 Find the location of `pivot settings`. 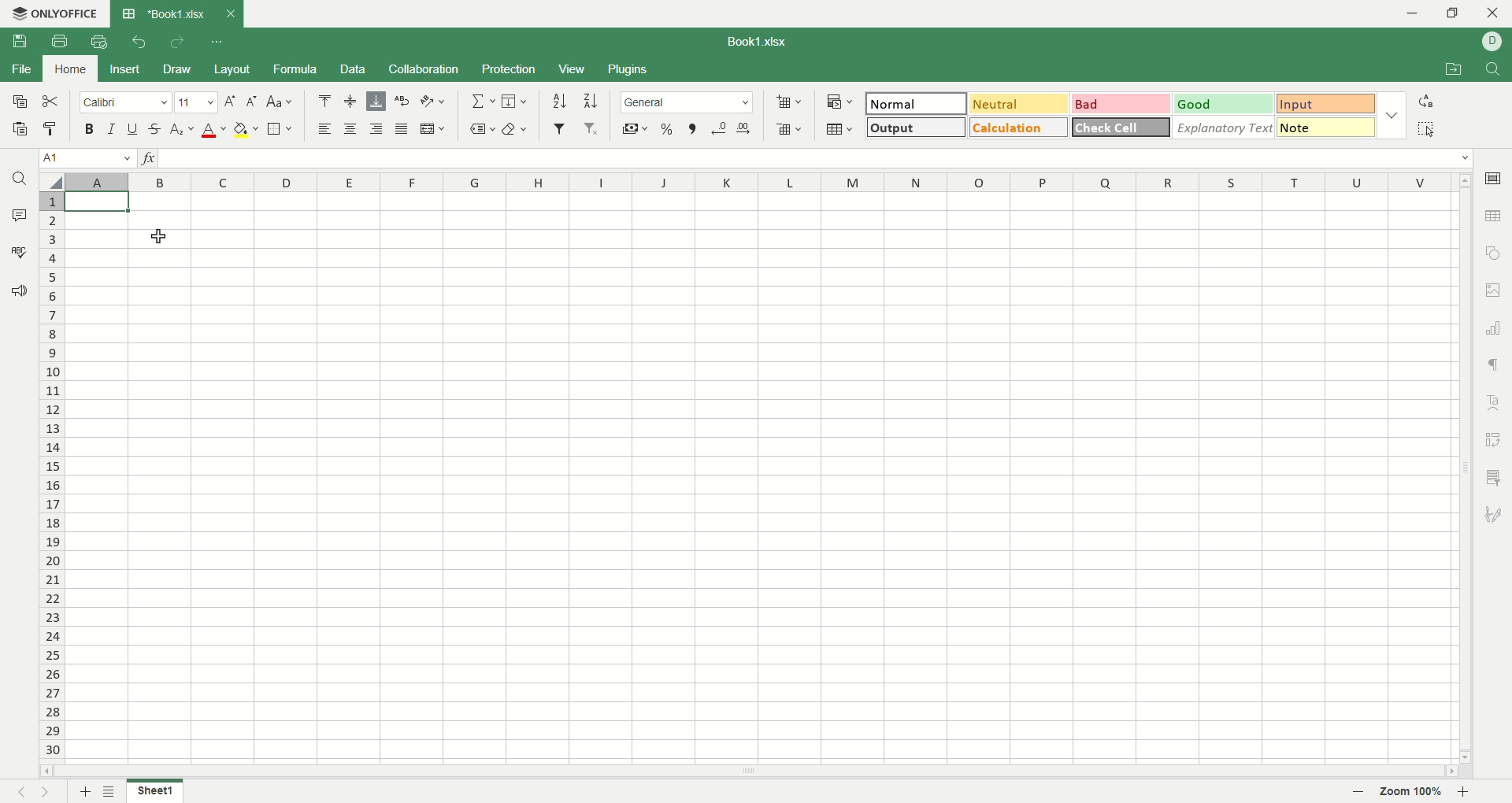

pivot settings is located at coordinates (1497, 439).